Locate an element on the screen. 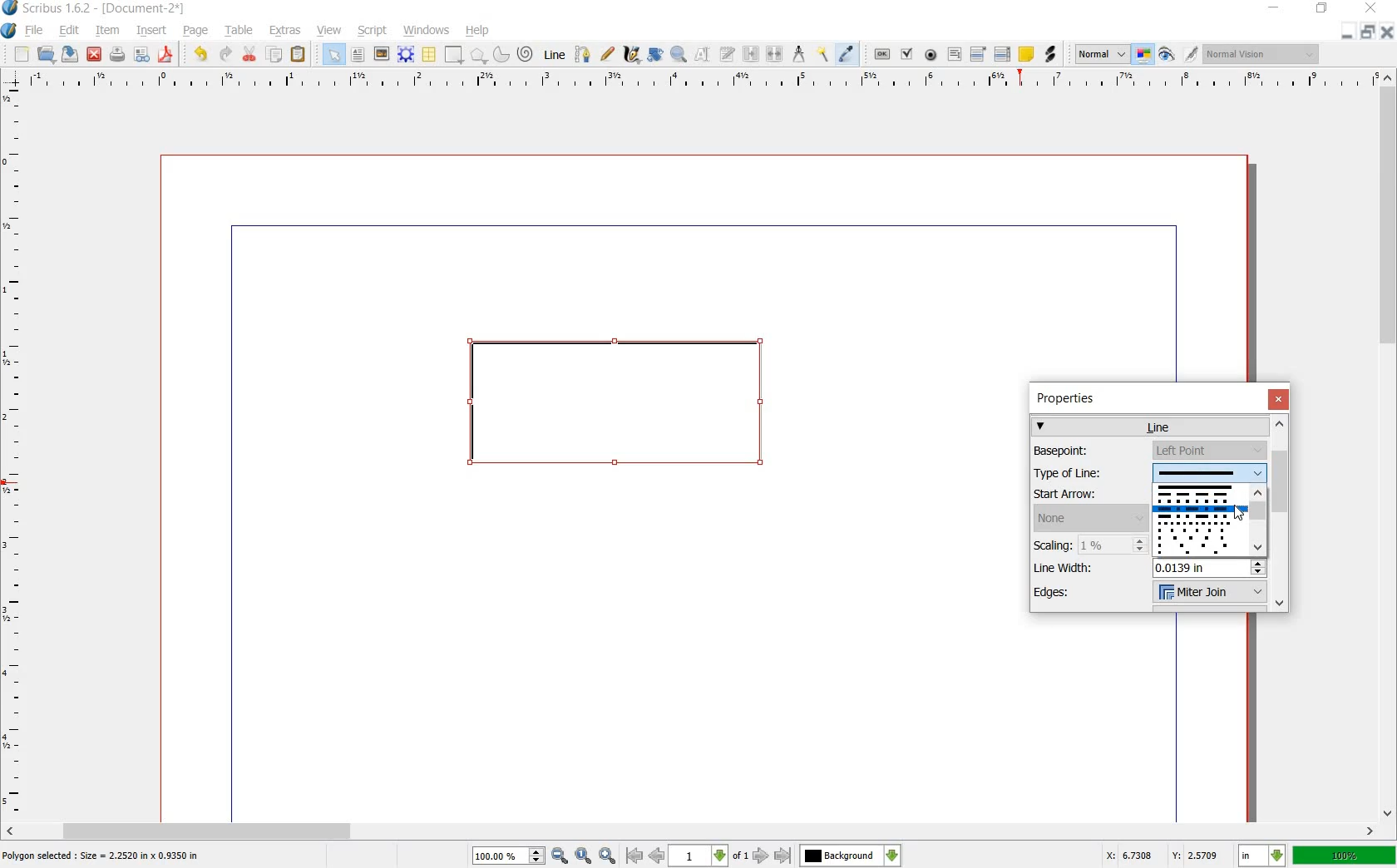 The height and width of the screenshot is (868, 1397). Basepoint: is located at coordinates (1084, 451).